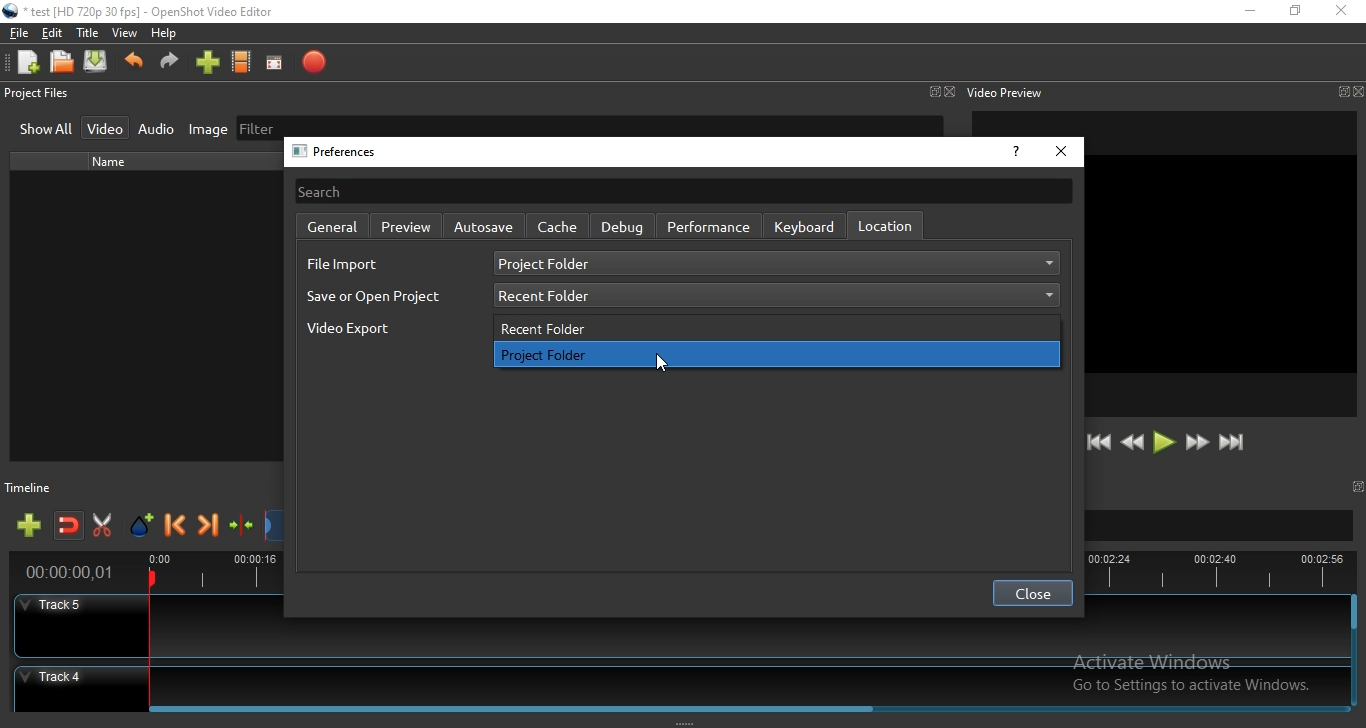 This screenshot has height=728, width=1366. Describe the element at coordinates (1061, 152) in the screenshot. I see `close` at that location.